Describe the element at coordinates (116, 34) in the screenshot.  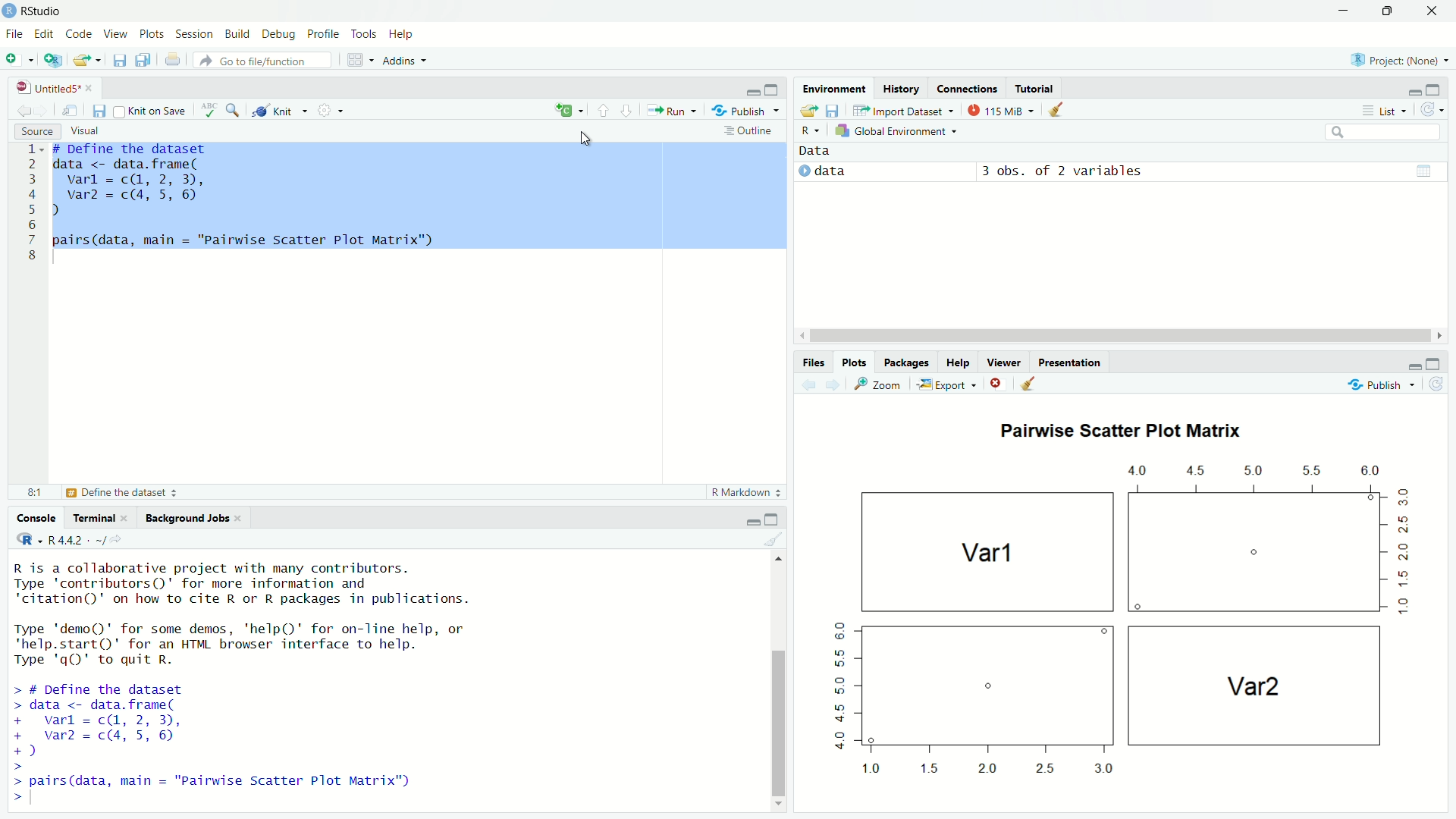
I see `View` at that location.